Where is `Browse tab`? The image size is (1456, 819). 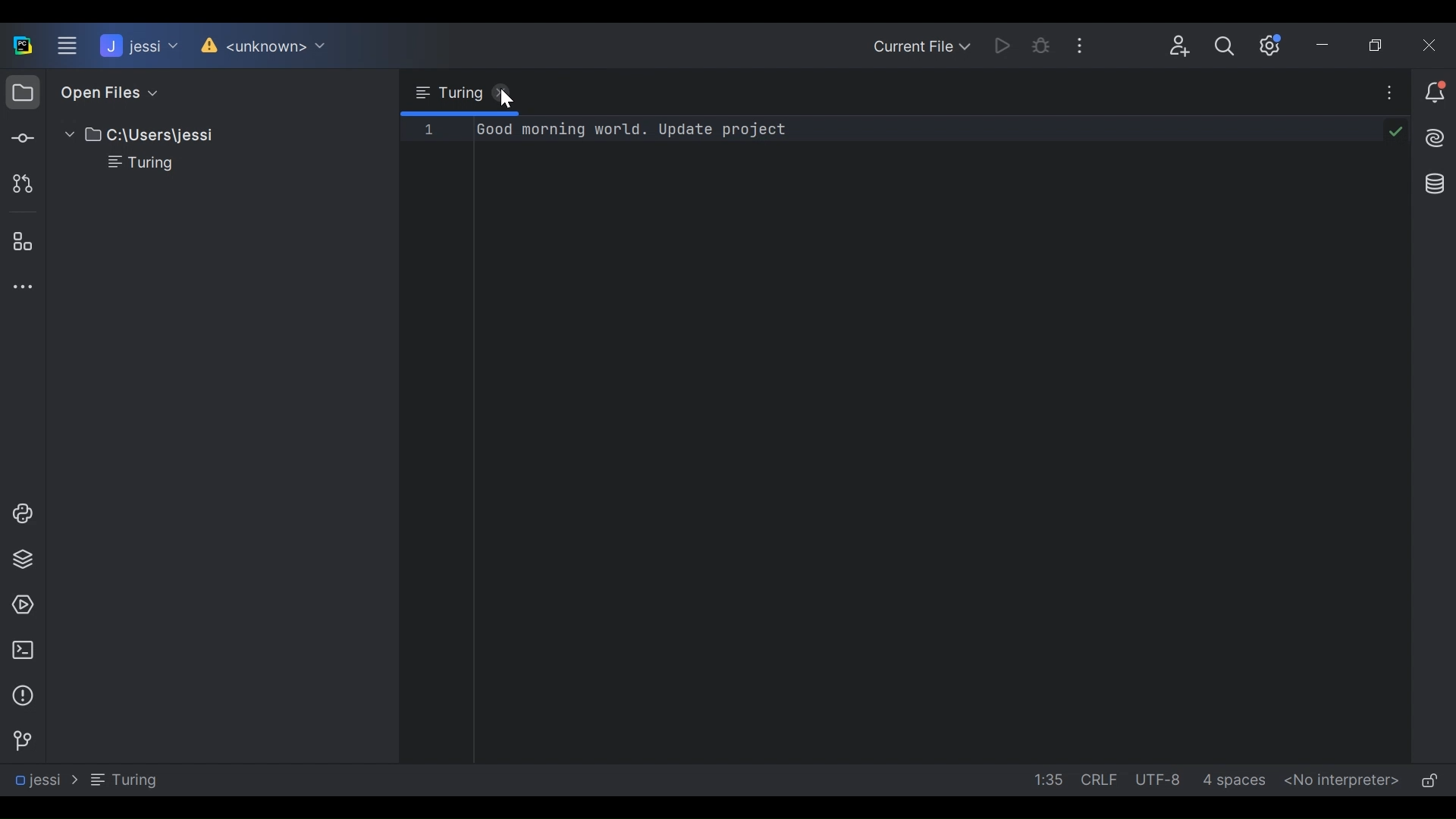 Browse tab is located at coordinates (460, 93).